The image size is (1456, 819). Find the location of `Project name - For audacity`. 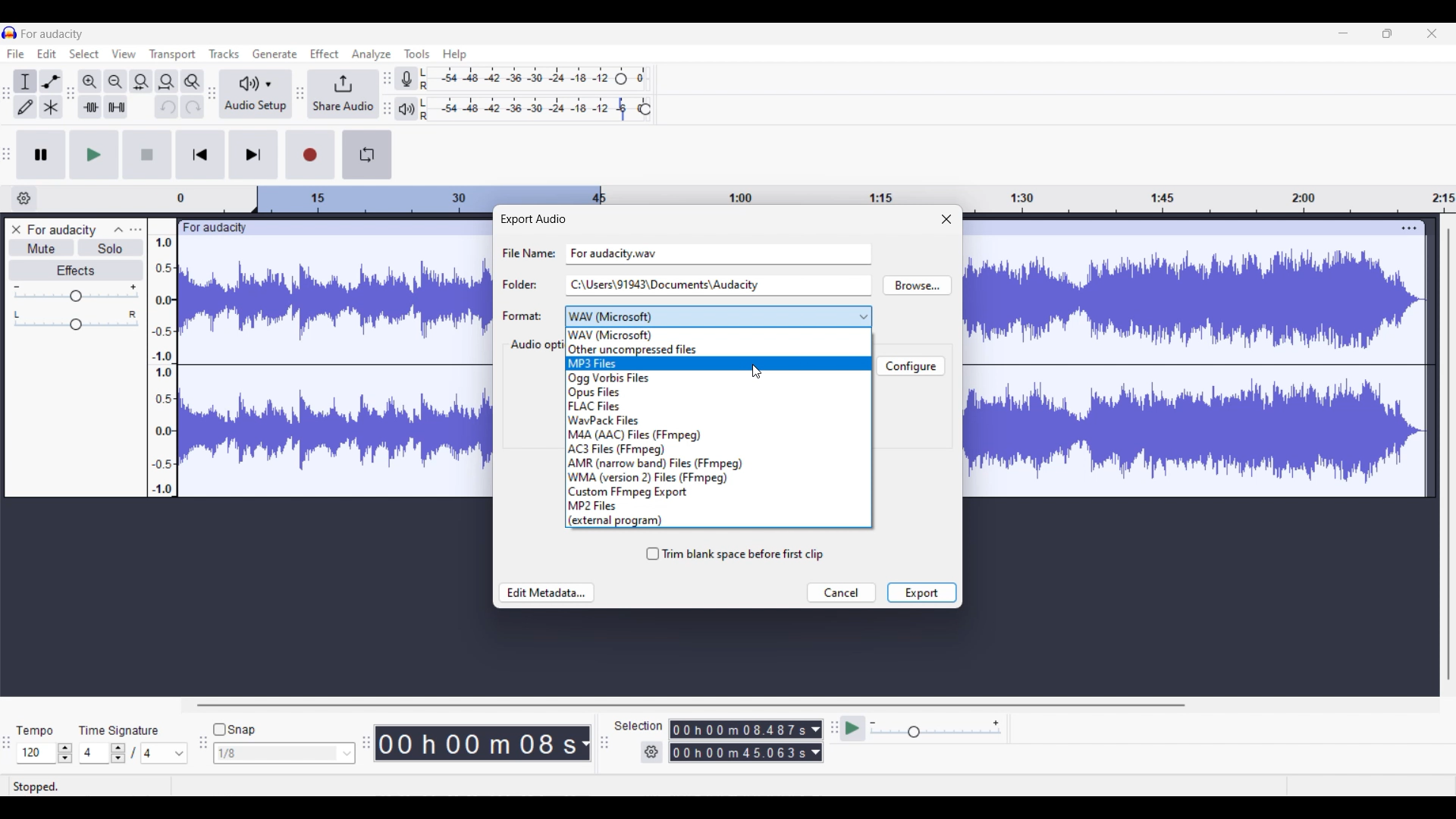

Project name - For audacity is located at coordinates (53, 34).